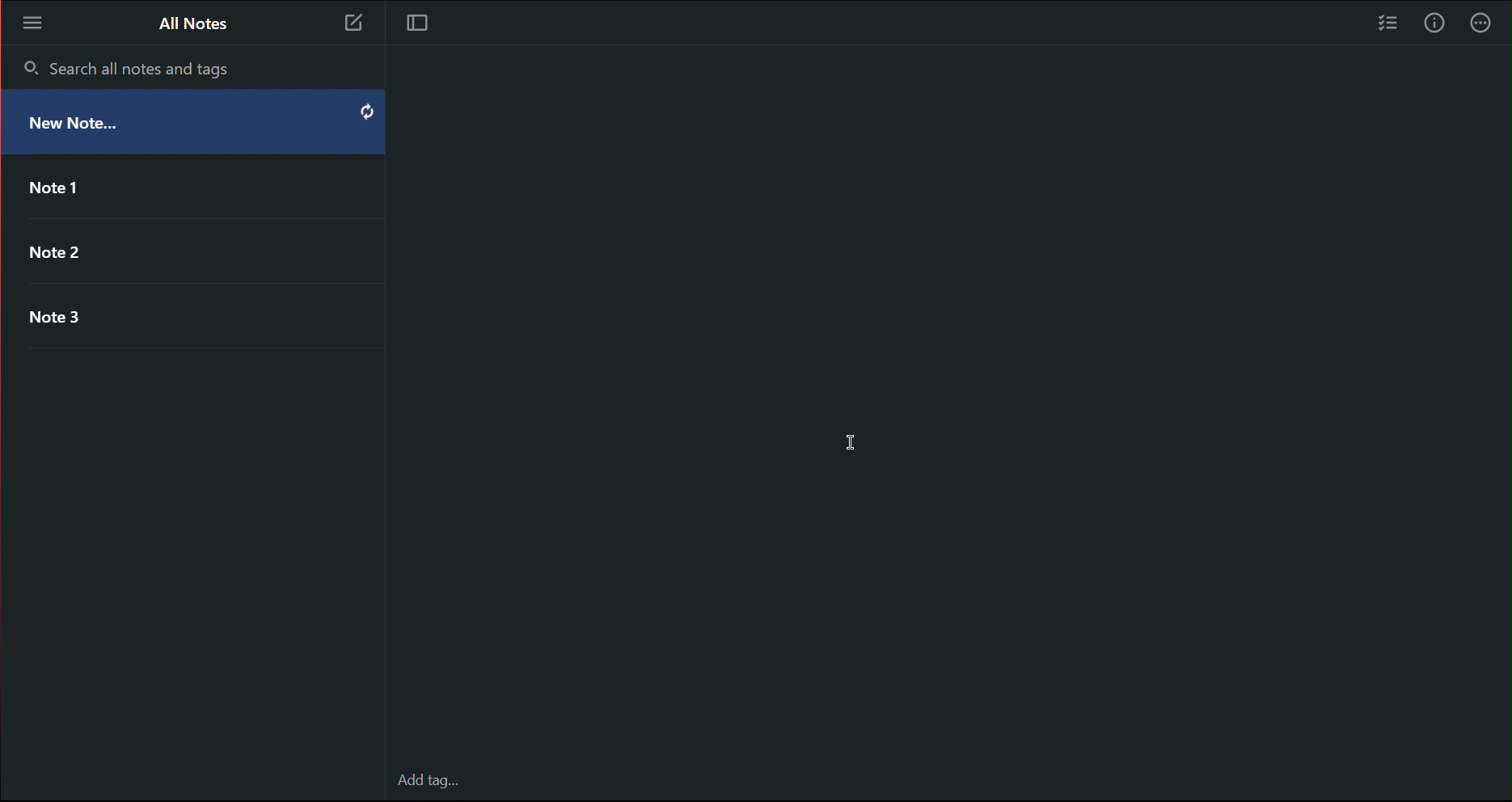  I want to click on New Note, so click(349, 25).